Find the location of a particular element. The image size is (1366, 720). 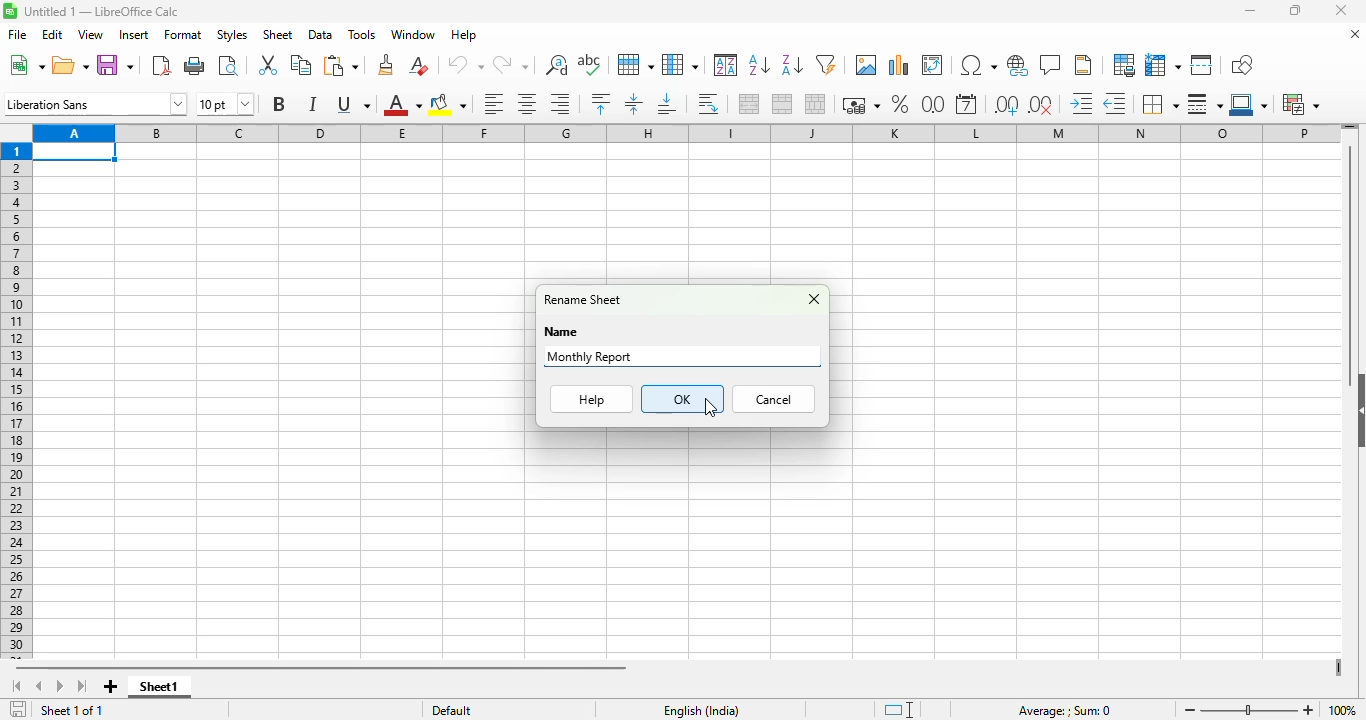

columns is located at coordinates (687, 132).